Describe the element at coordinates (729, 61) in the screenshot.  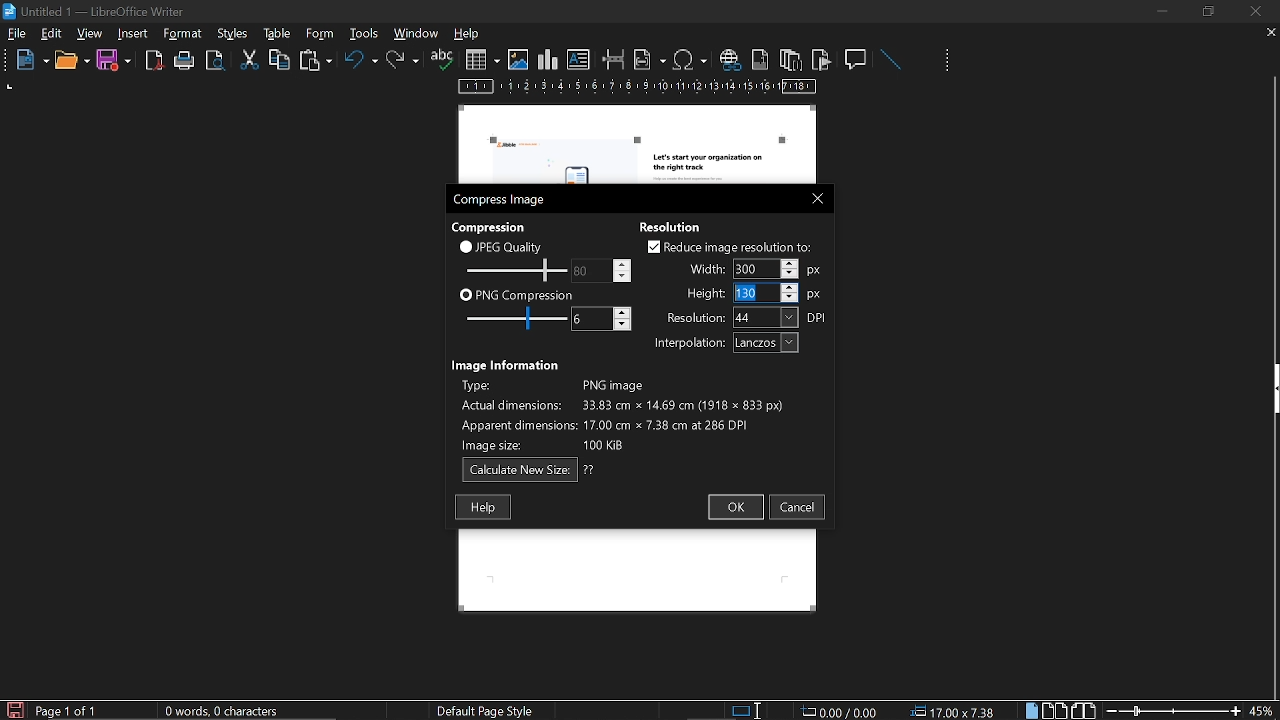
I see `insert hyperlink` at that location.